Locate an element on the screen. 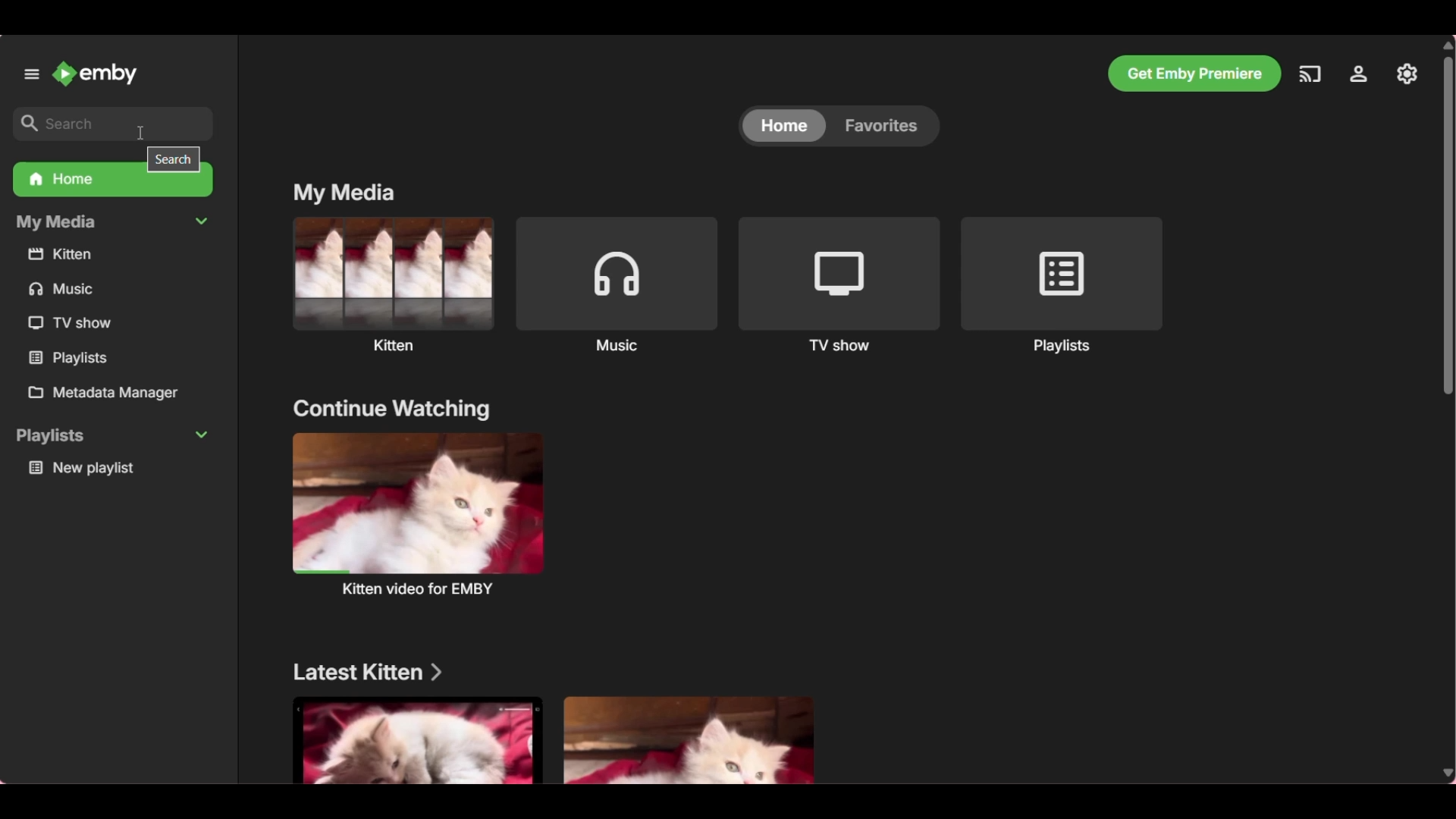  My media is located at coordinates (344, 192).